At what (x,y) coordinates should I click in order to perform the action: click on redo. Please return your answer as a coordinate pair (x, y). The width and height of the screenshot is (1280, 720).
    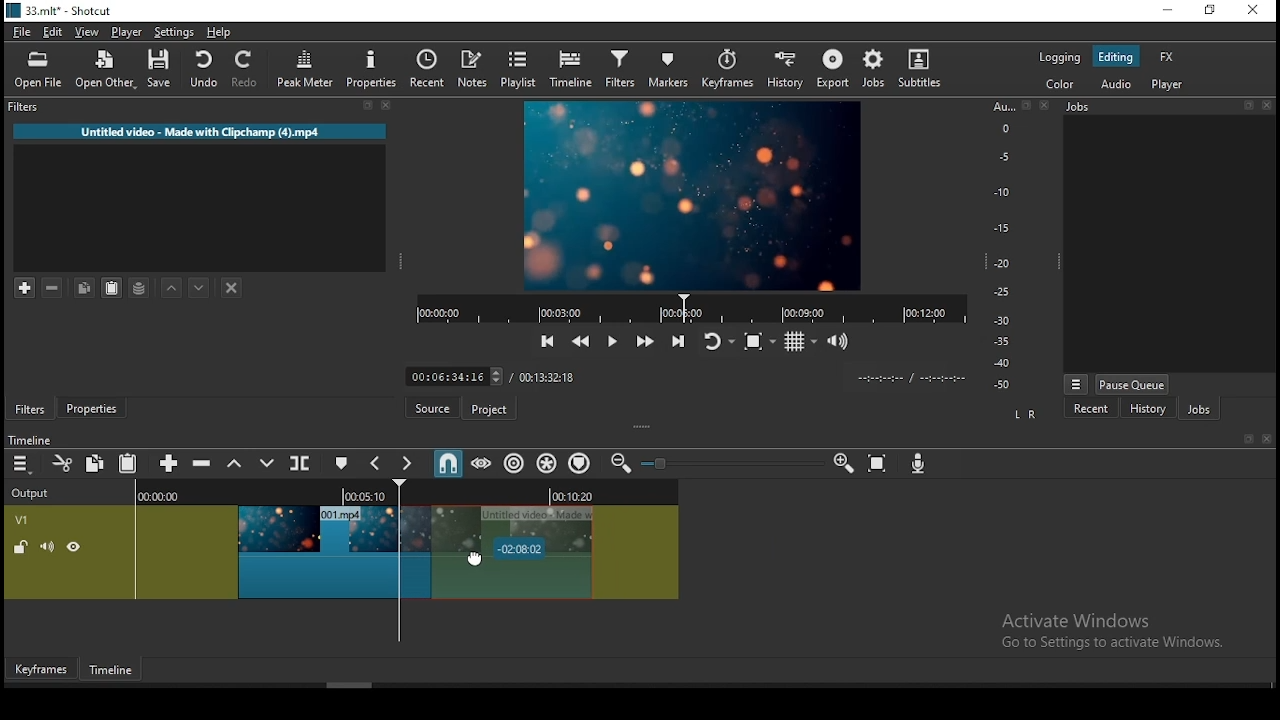
    Looking at the image, I should click on (248, 72).